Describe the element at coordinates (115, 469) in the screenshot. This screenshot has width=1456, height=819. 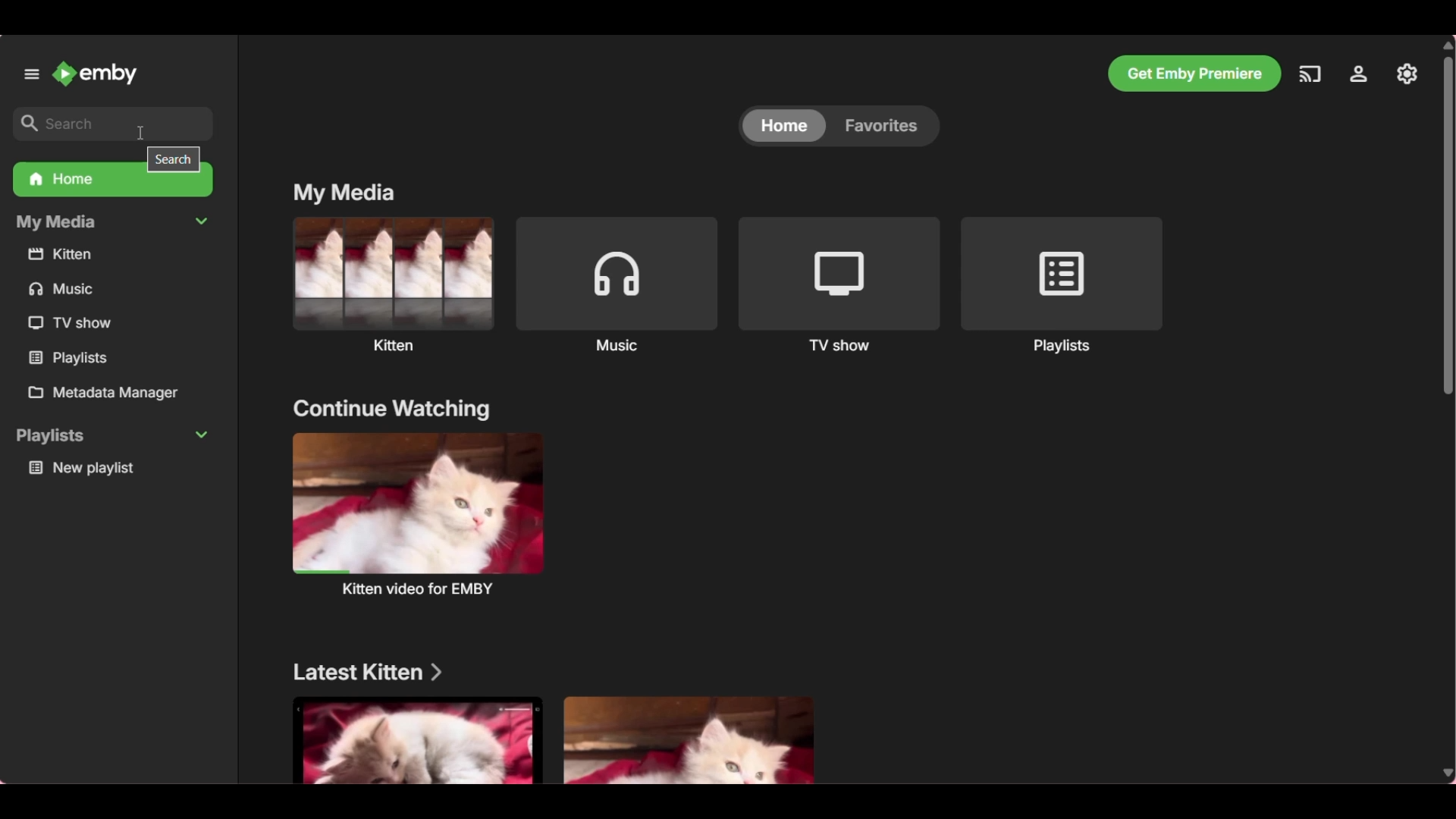
I see `new playlist` at that location.